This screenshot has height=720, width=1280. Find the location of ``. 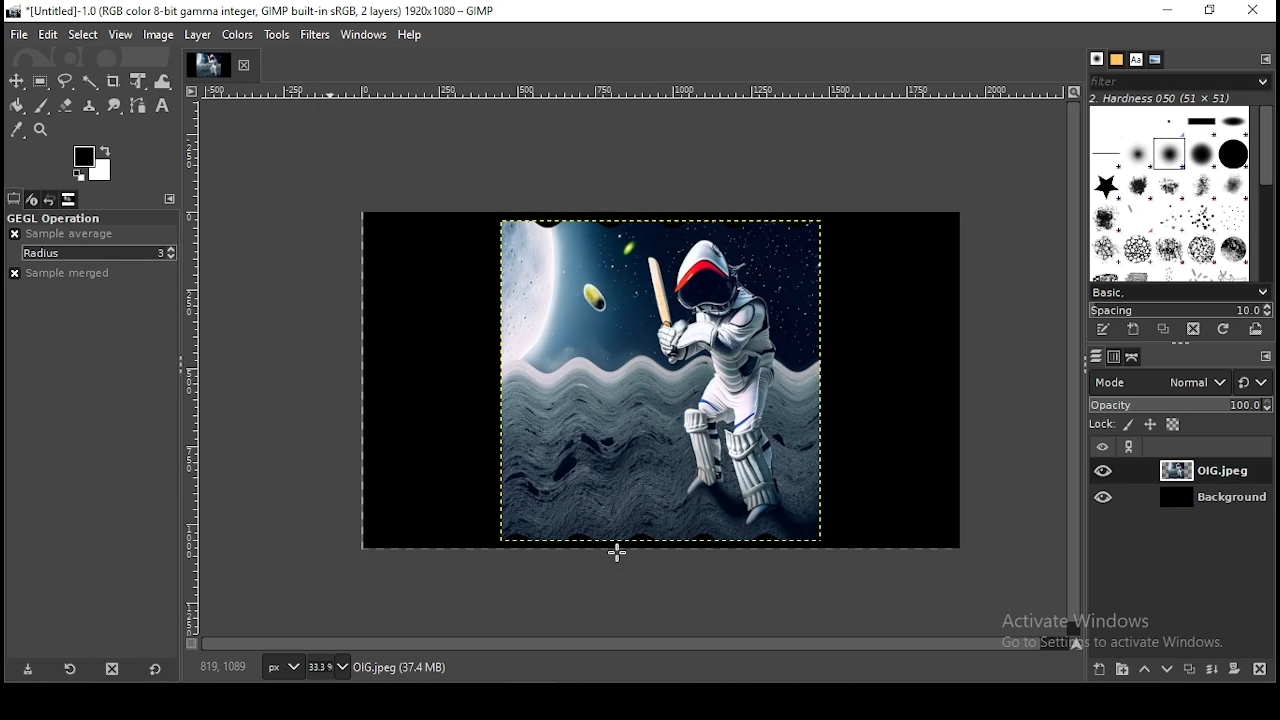

 is located at coordinates (91, 82).